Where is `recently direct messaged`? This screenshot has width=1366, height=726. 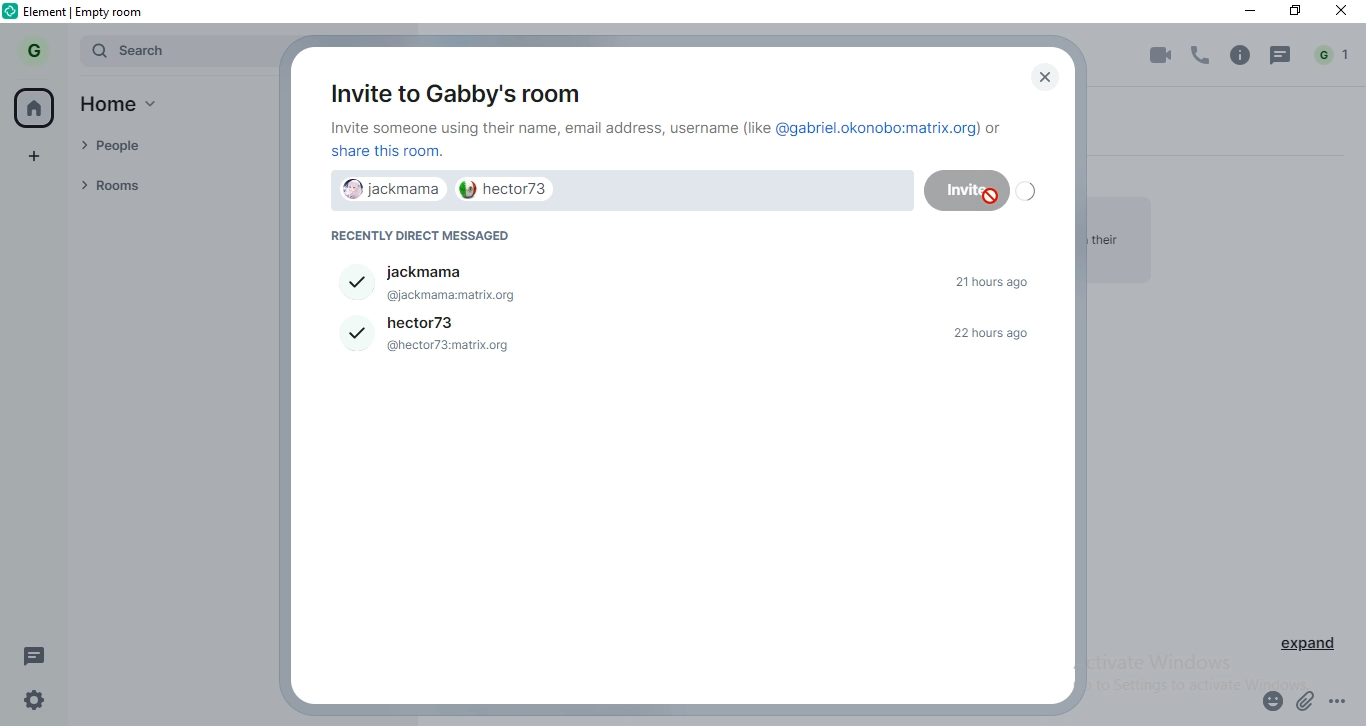 recently direct messaged is located at coordinates (430, 236).